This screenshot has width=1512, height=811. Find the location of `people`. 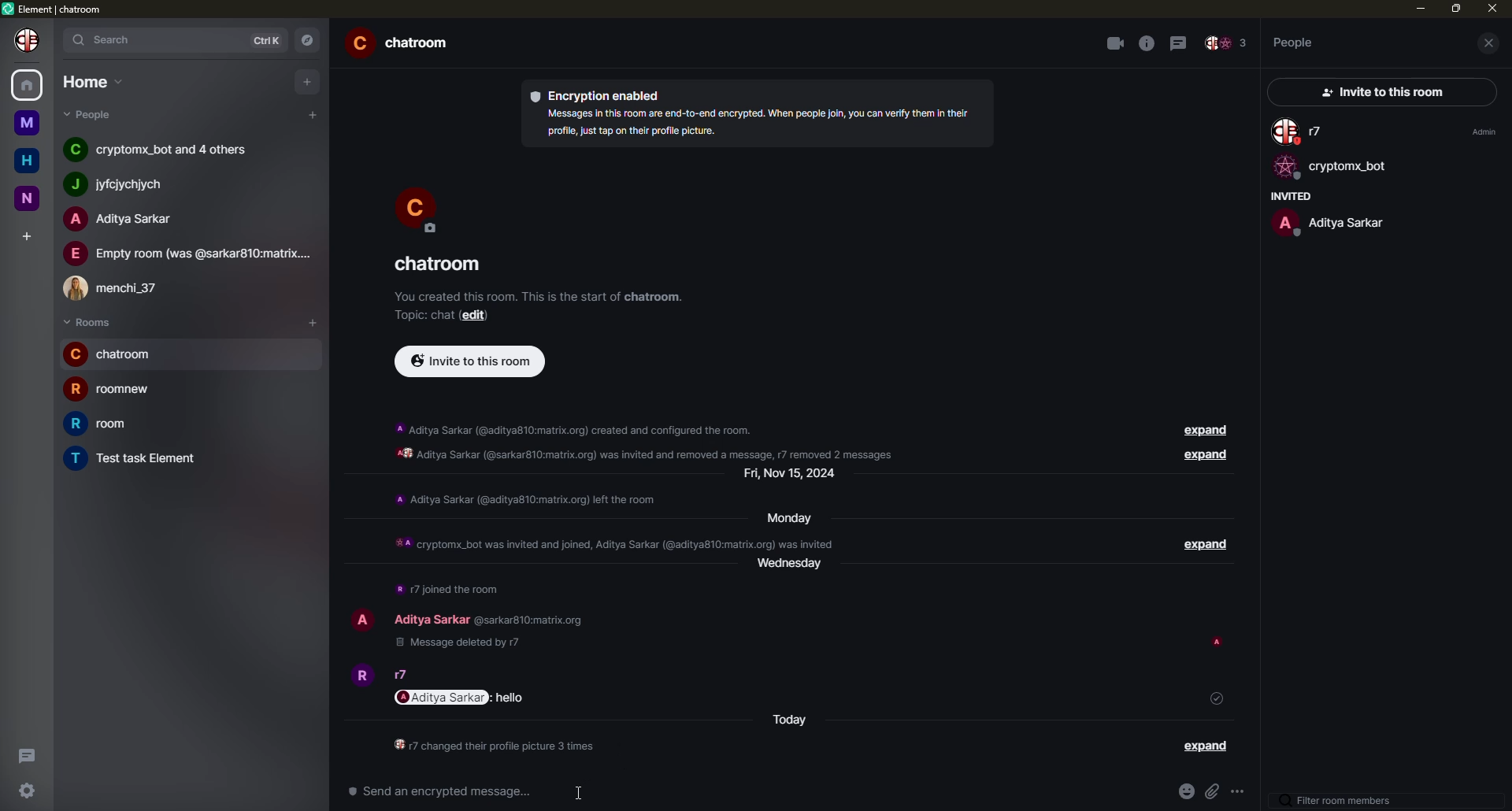

people is located at coordinates (119, 219).